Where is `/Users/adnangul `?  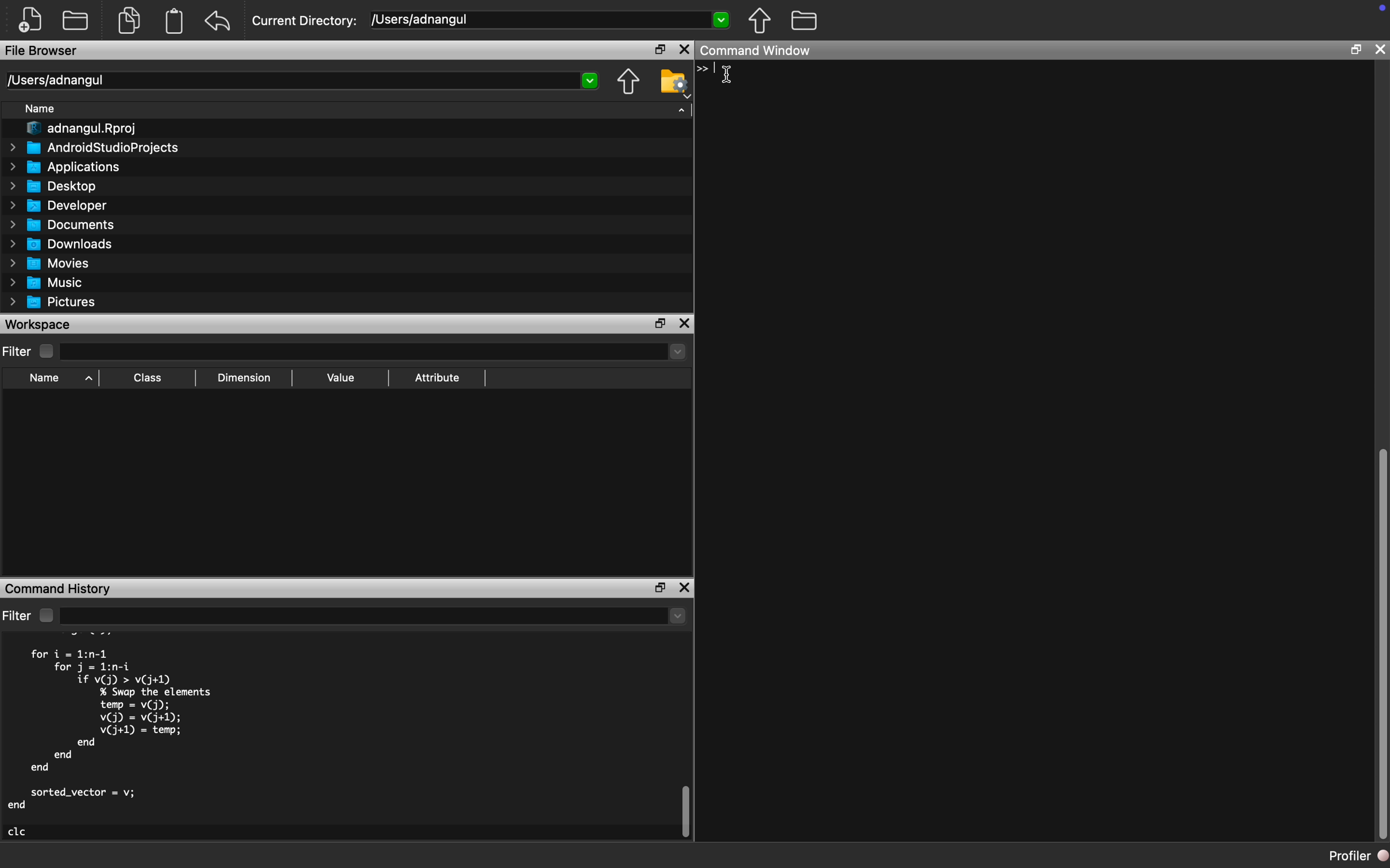
/Users/adnangul  is located at coordinates (300, 81).